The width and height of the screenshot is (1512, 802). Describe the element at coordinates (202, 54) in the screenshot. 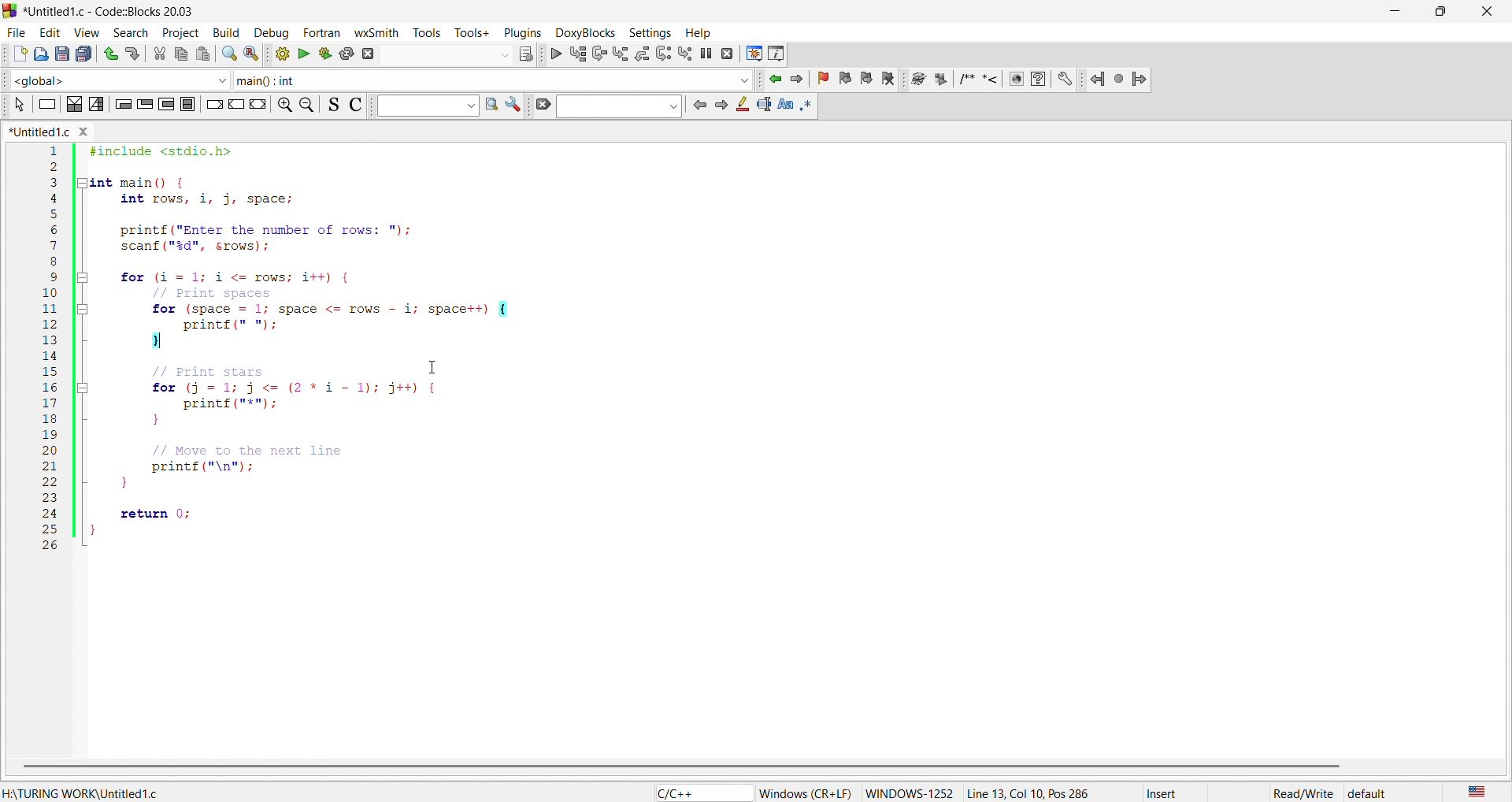

I see `paste` at that location.